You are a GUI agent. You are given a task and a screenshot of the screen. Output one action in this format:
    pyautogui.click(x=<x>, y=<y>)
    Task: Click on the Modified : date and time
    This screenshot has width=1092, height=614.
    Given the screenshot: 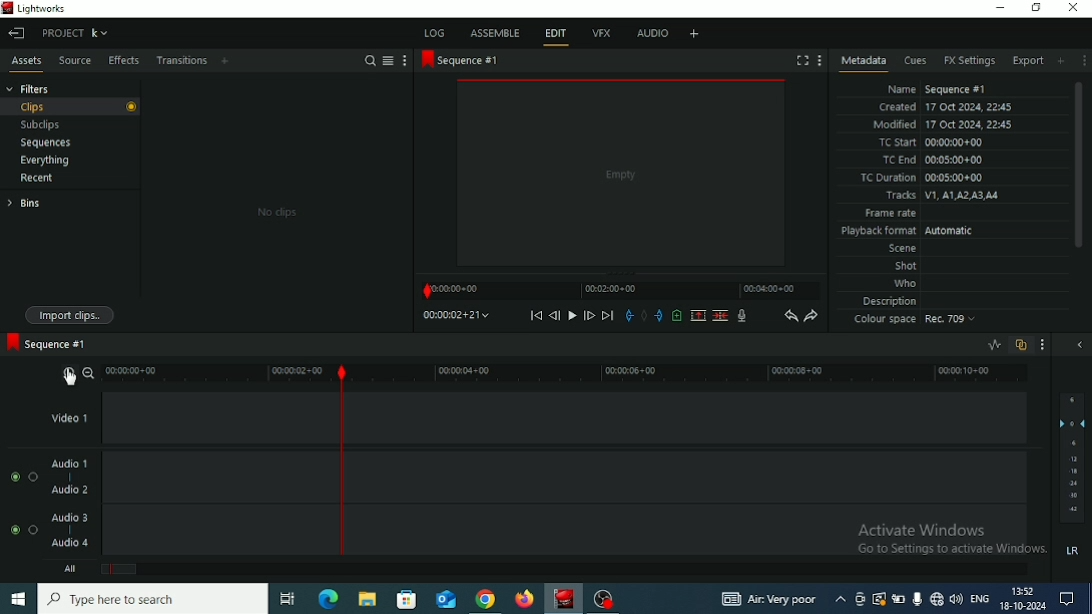 What is the action you would take?
    pyautogui.click(x=943, y=124)
    